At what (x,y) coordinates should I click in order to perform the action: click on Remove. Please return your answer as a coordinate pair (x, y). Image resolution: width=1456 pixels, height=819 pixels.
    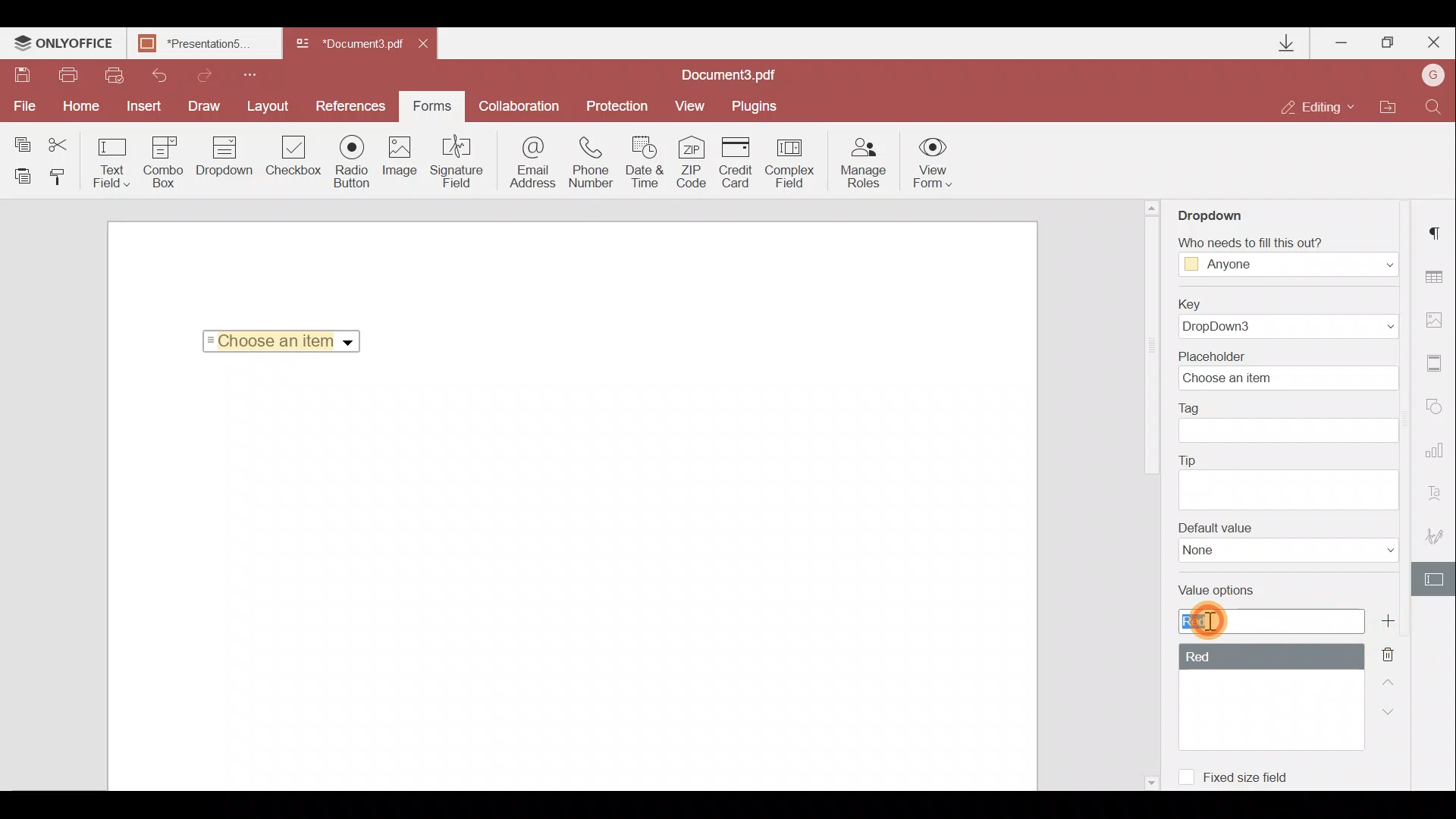
    Looking at the image, I should click on (1392, 650).